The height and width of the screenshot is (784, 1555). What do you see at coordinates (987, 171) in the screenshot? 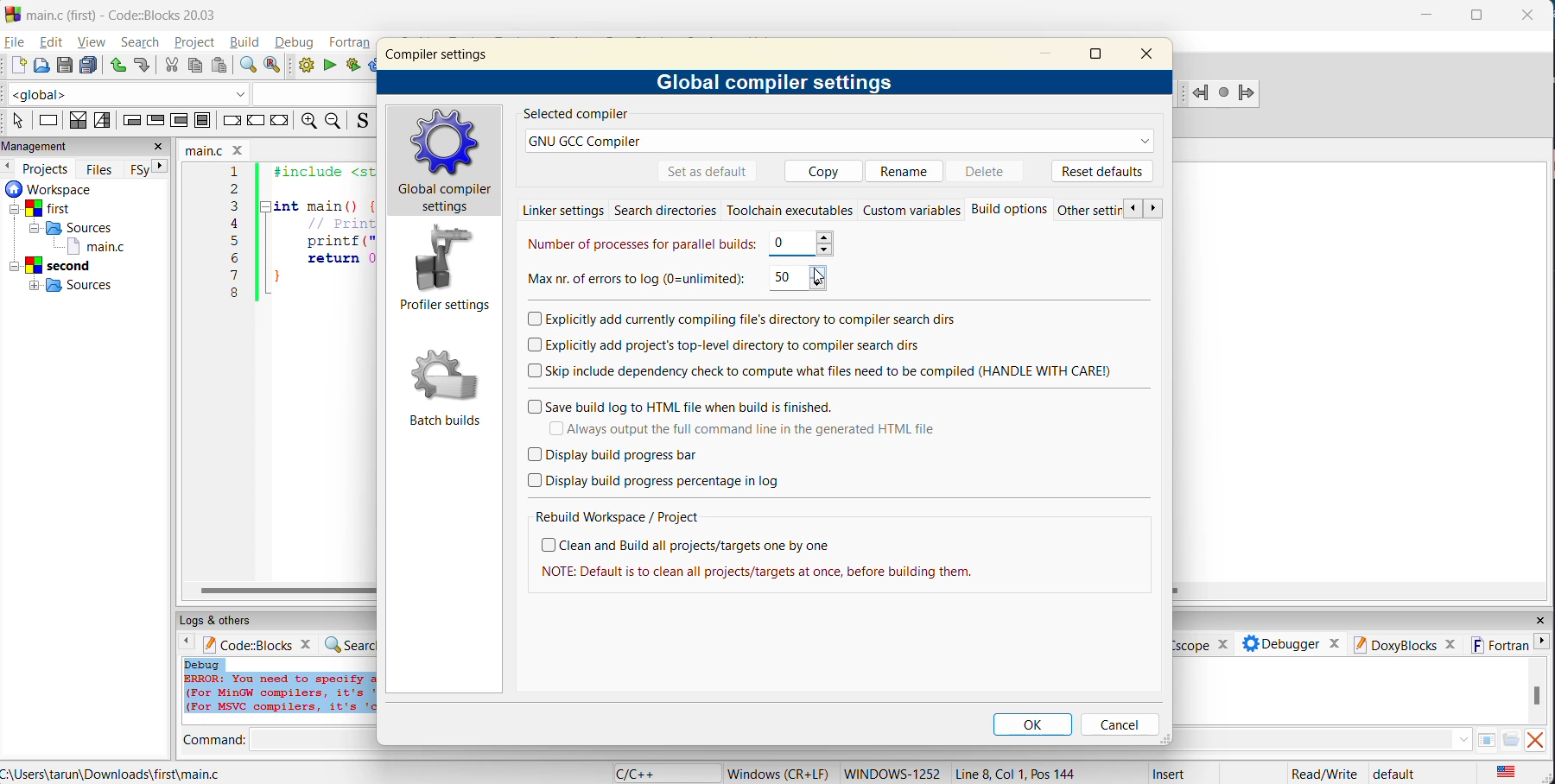
I see `delete` at bounding box center [987, 171].